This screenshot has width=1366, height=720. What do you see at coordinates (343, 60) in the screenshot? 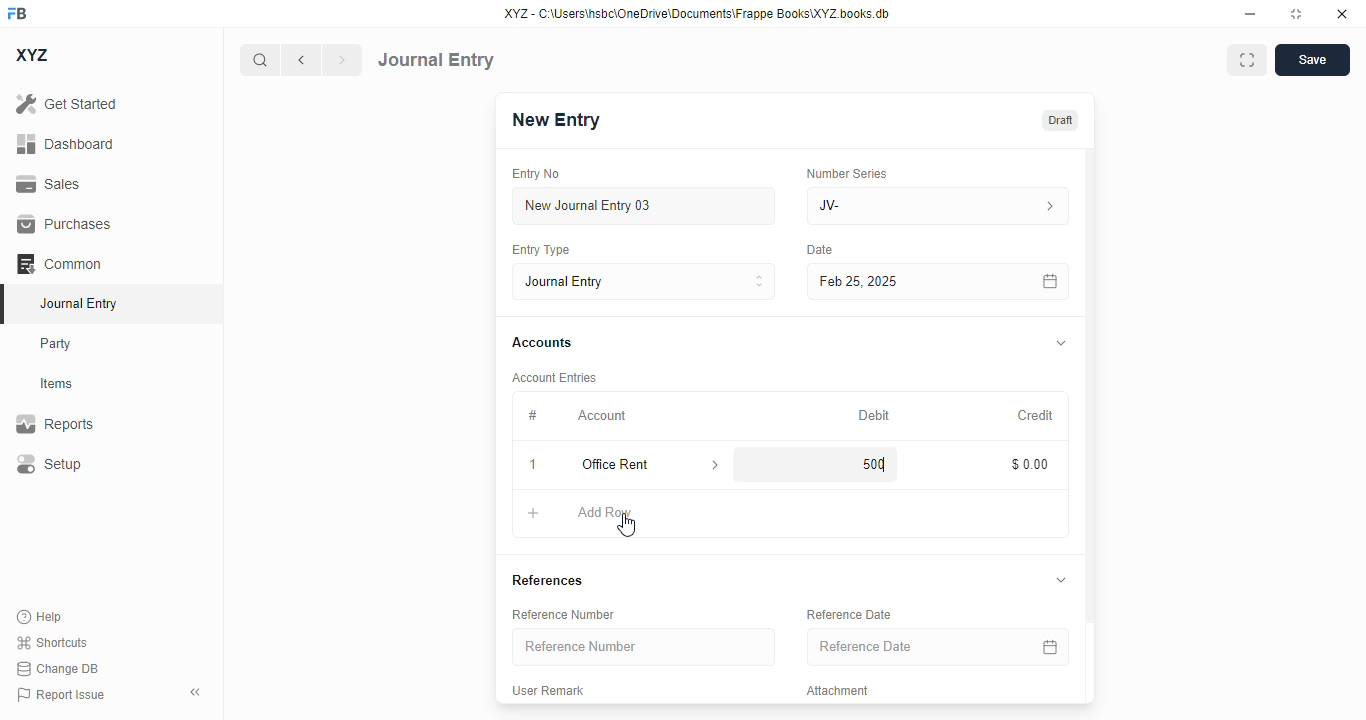
I see `next` at bounding box center [343, 60].